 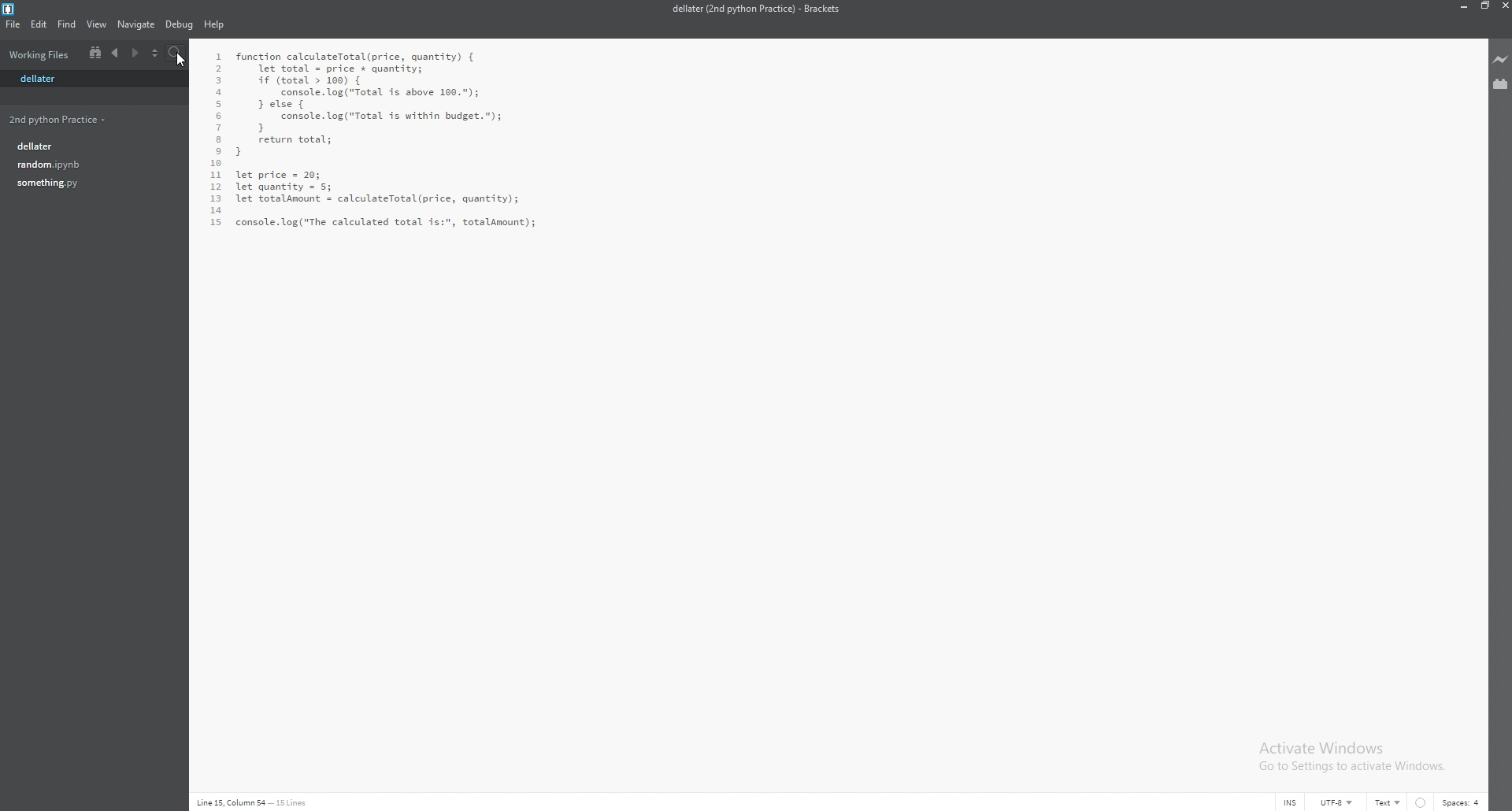 What do you see at coordinates (217, 103) in the screenshot?
I see `5` at bounding box center [217, 103].